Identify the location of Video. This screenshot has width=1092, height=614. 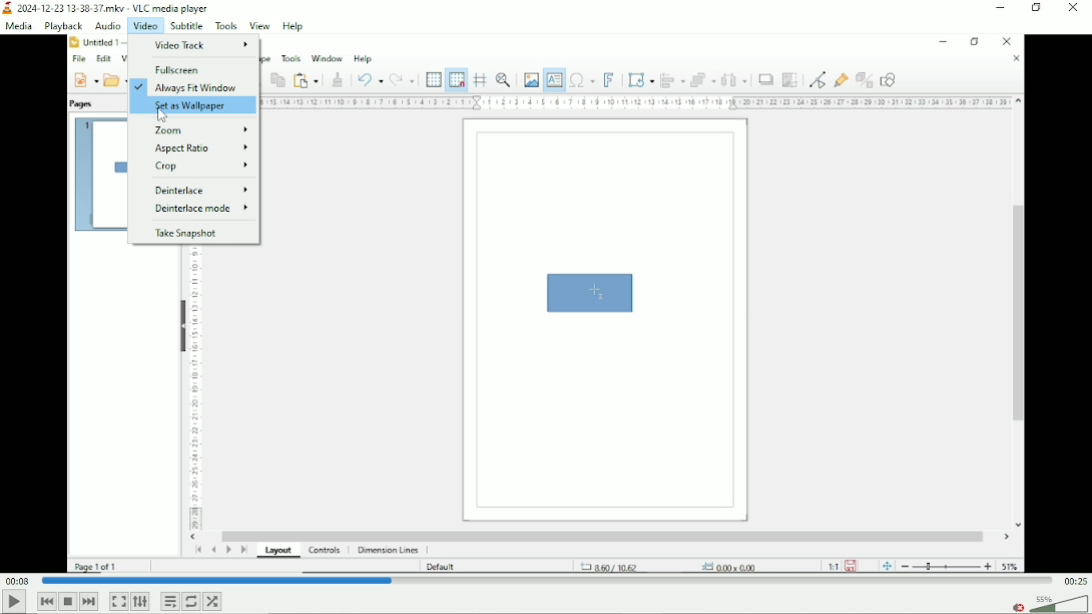
(145, 26).